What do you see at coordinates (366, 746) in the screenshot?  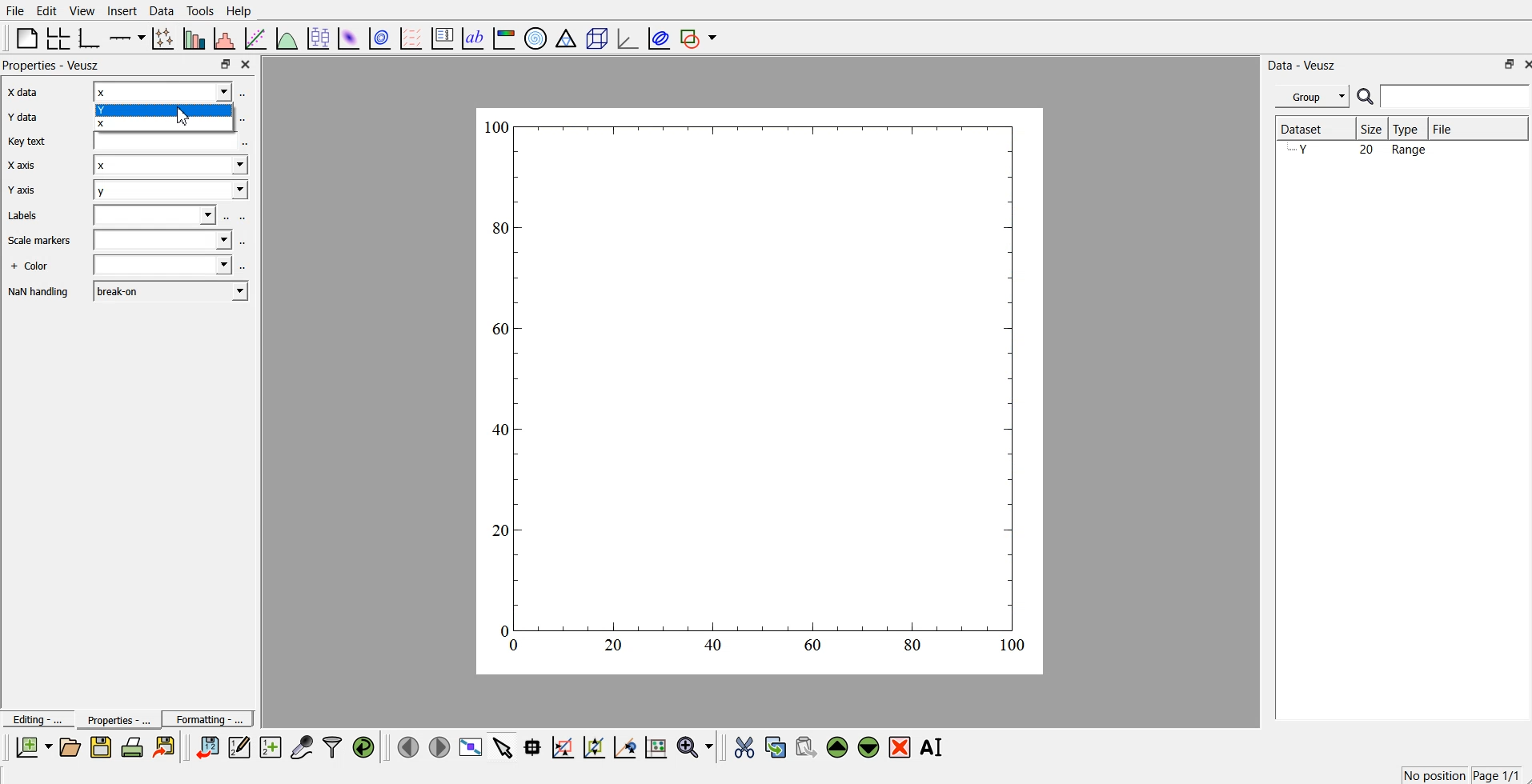 I see `reload linked datasets` at bounding box center [366, 746].